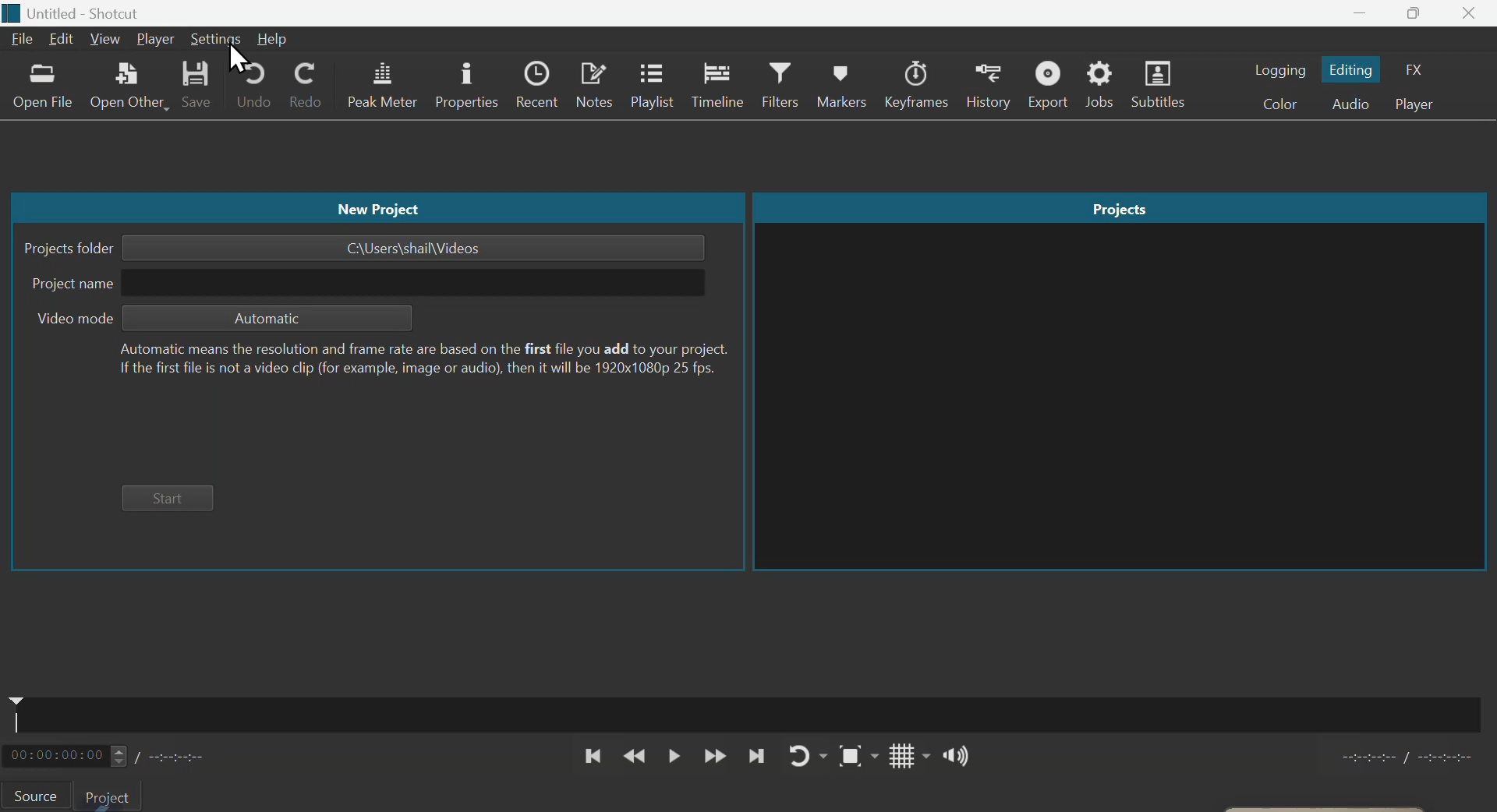 This screenshot has height=812, width=1497. What do you see at coordinates (20, 41) in the screenshot?
I see `File` at bounding box center [20, 41].